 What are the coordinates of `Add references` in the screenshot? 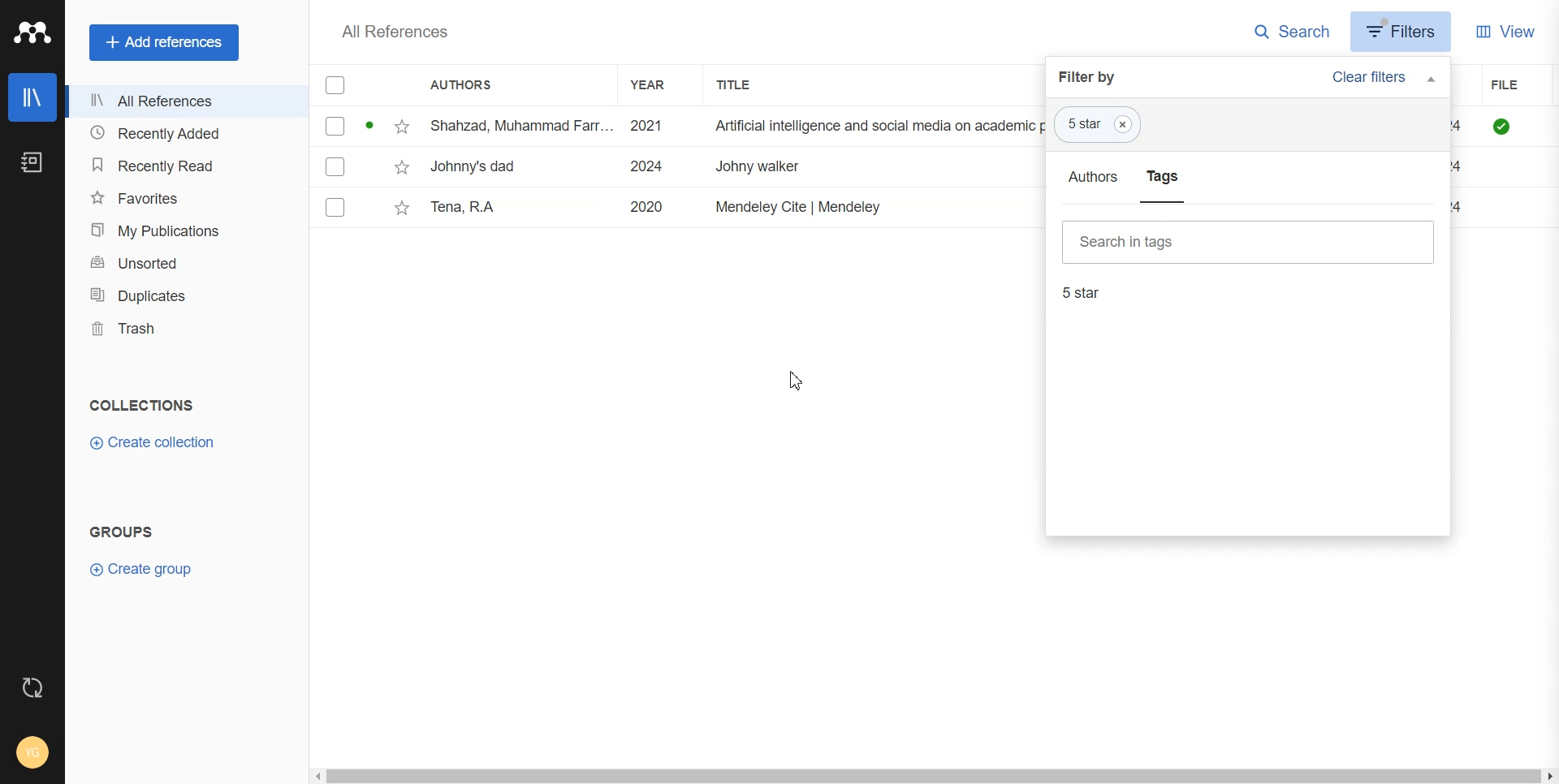 It's located at (158, 43).